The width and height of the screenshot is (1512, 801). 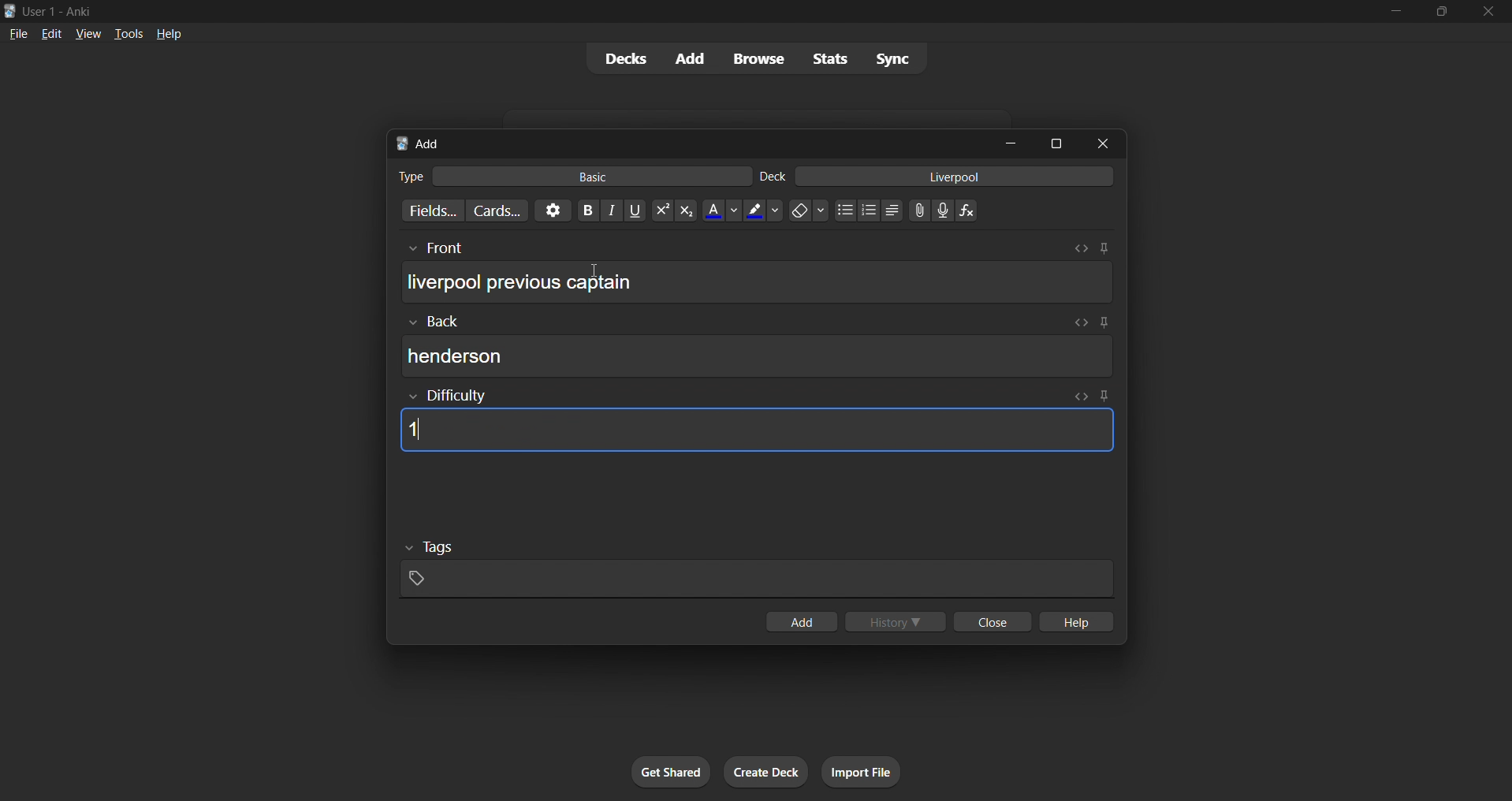 I want to click on customize fields, so click(x=425, y=212).